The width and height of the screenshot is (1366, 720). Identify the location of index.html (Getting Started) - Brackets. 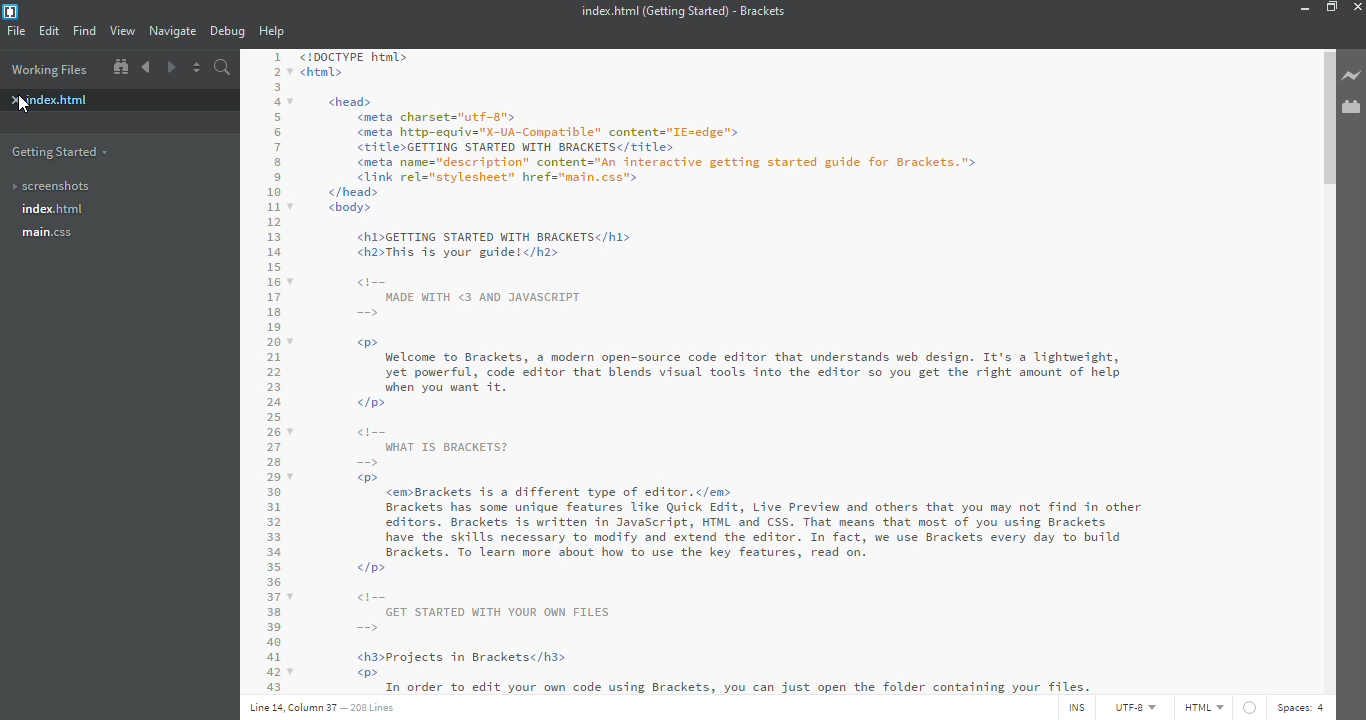
(688, 10).